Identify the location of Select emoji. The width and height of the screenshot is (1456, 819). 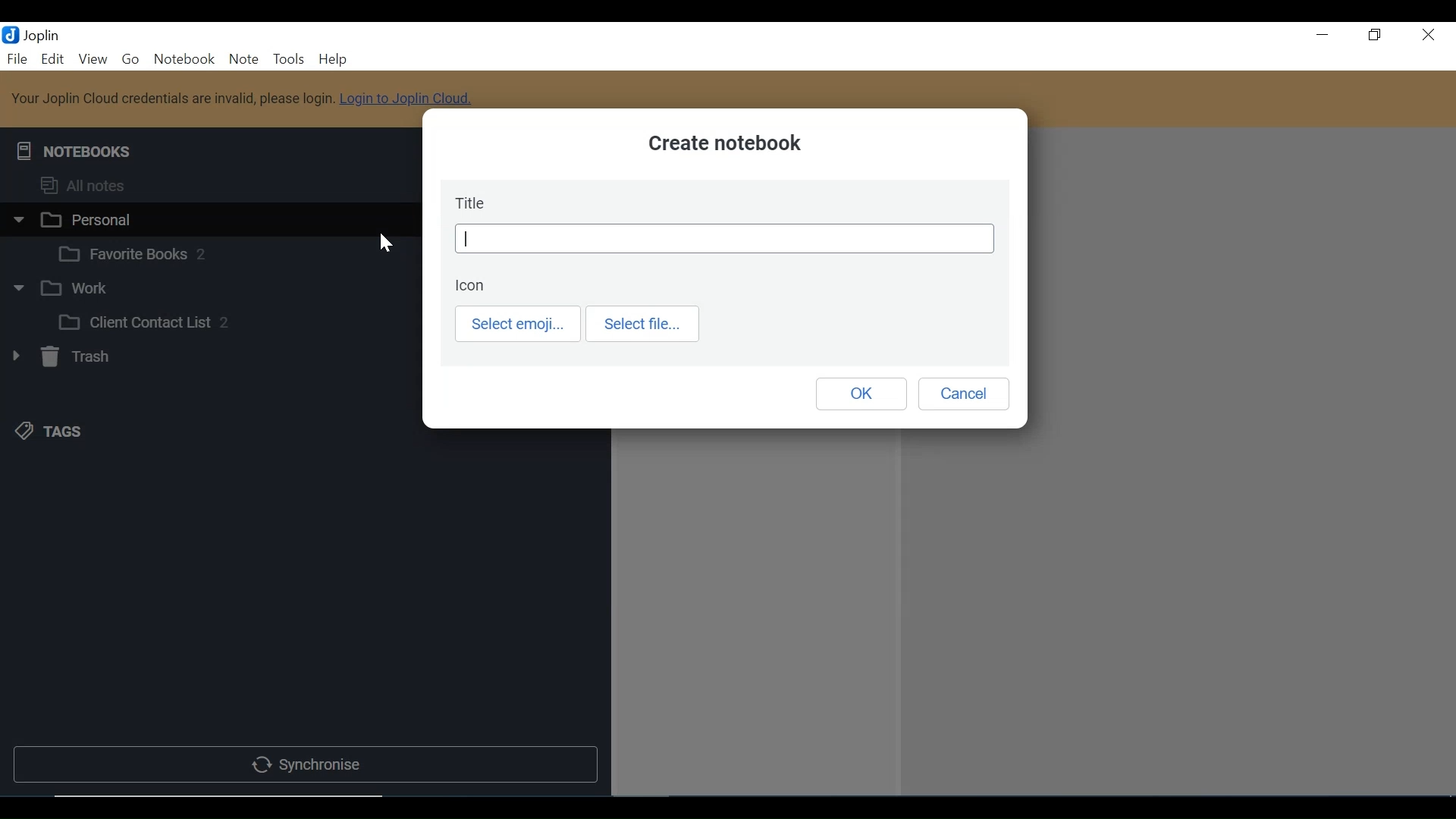
(518, 325).